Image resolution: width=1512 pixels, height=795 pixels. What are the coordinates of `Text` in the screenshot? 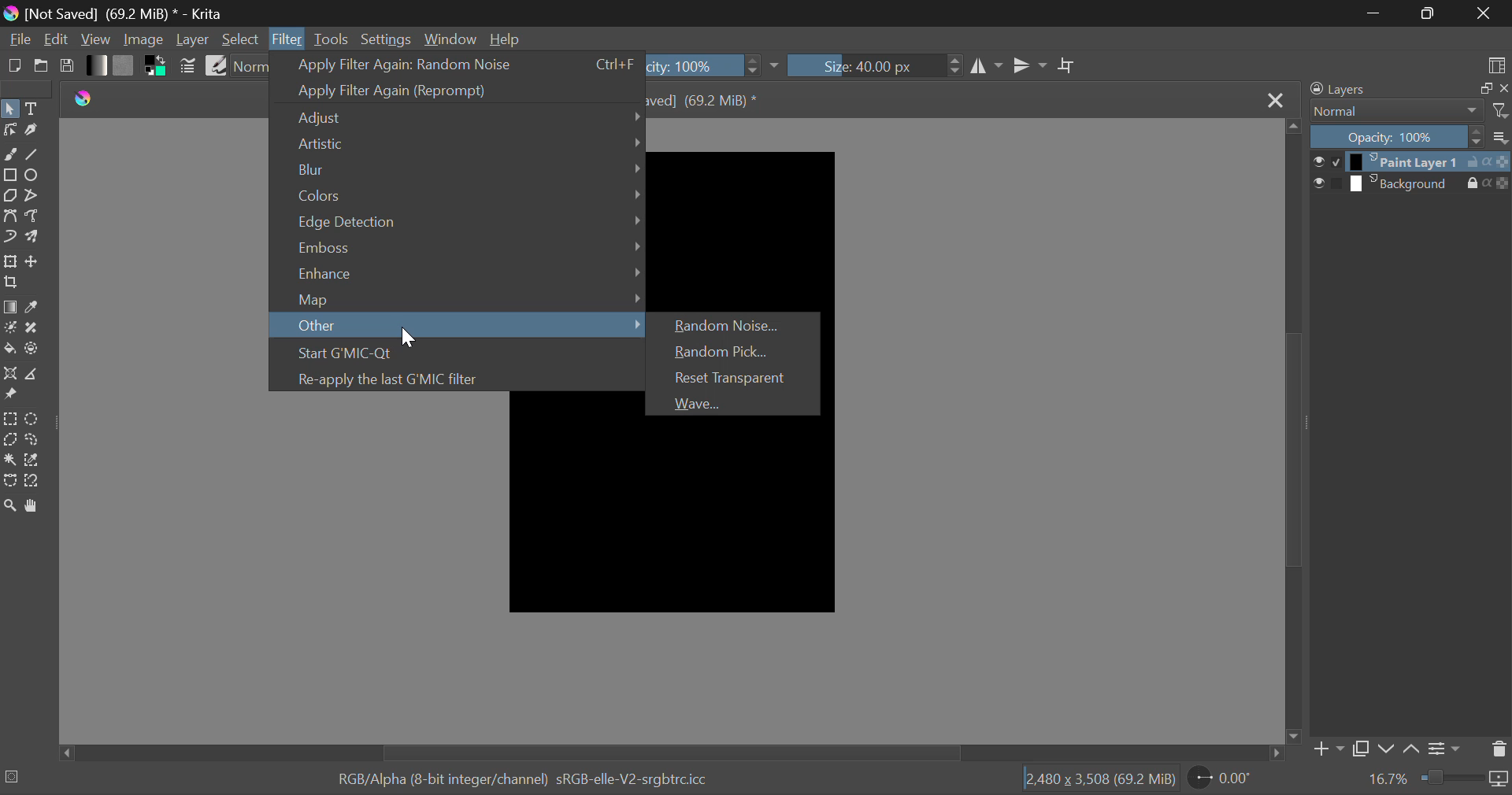 It's located at (32, 107).